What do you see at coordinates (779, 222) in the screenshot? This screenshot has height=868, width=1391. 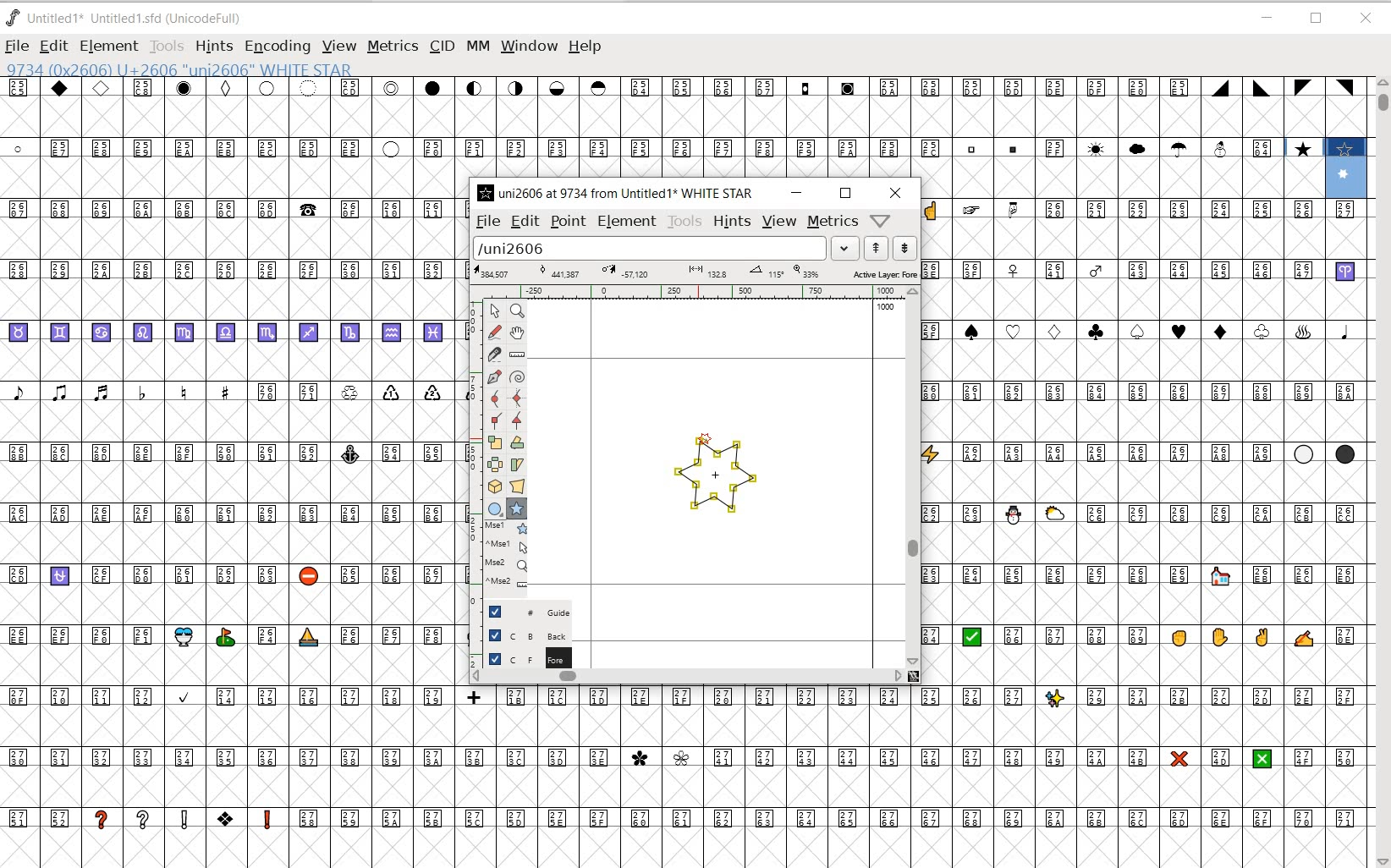 I see `VIEW` at bounding box center [779, 222].